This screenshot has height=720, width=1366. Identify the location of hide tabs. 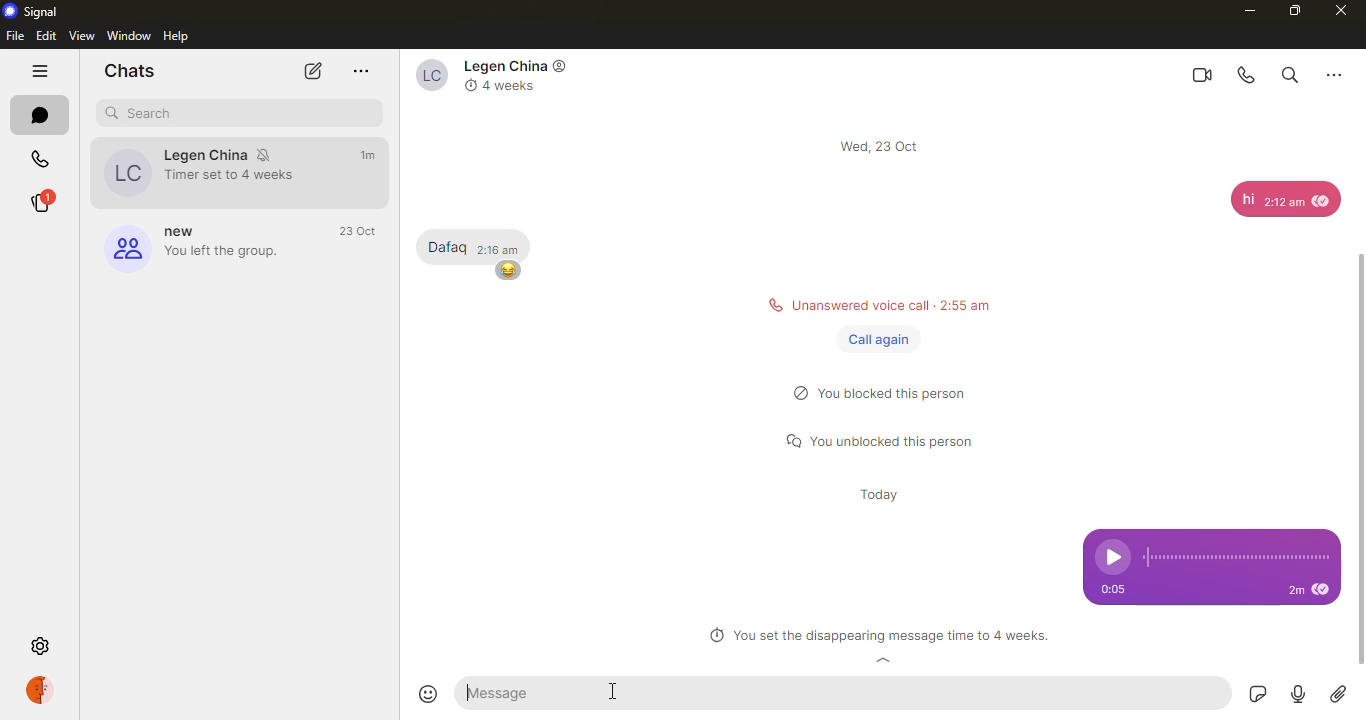
(40, 73).